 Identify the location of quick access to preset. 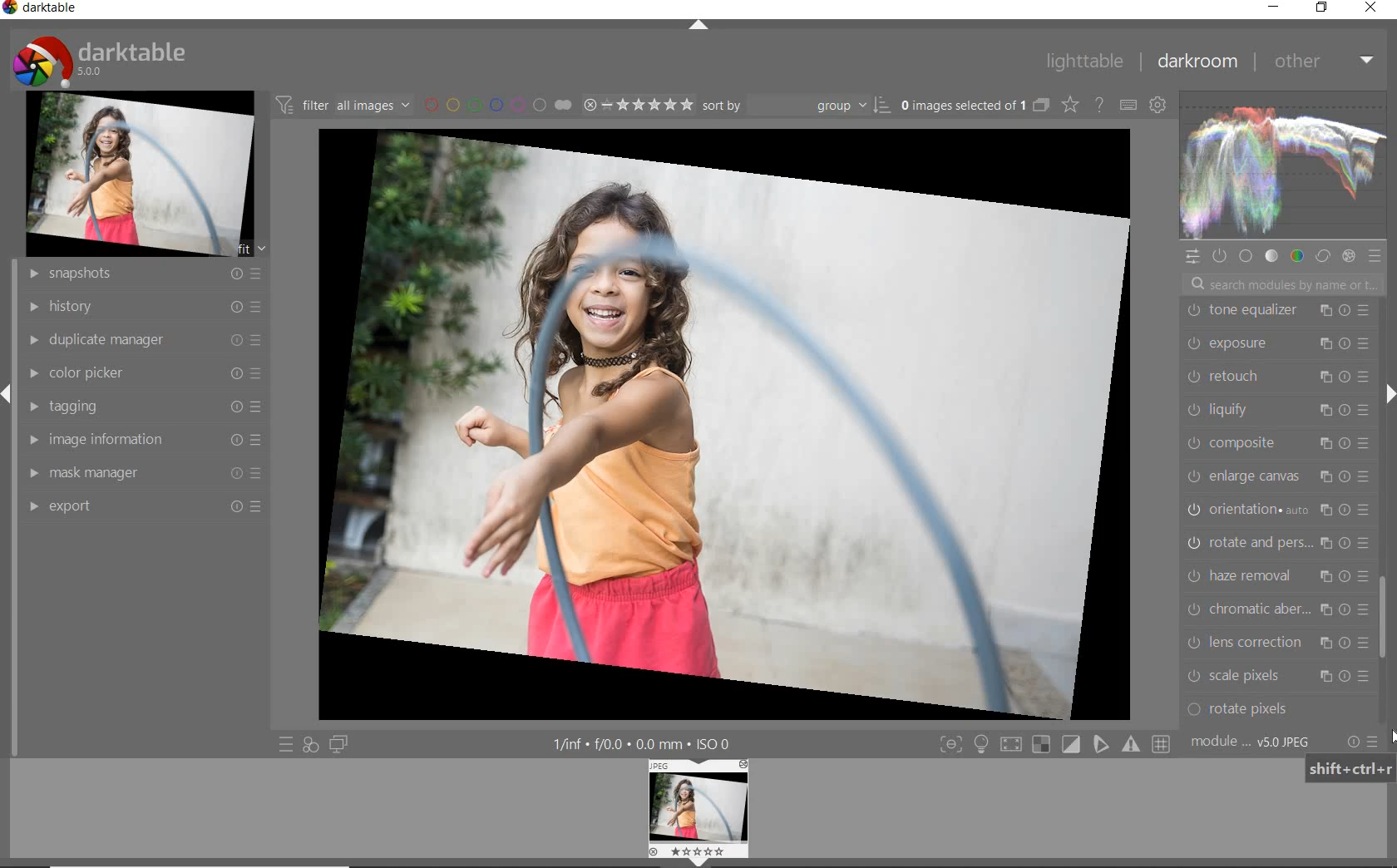
(287, 743).